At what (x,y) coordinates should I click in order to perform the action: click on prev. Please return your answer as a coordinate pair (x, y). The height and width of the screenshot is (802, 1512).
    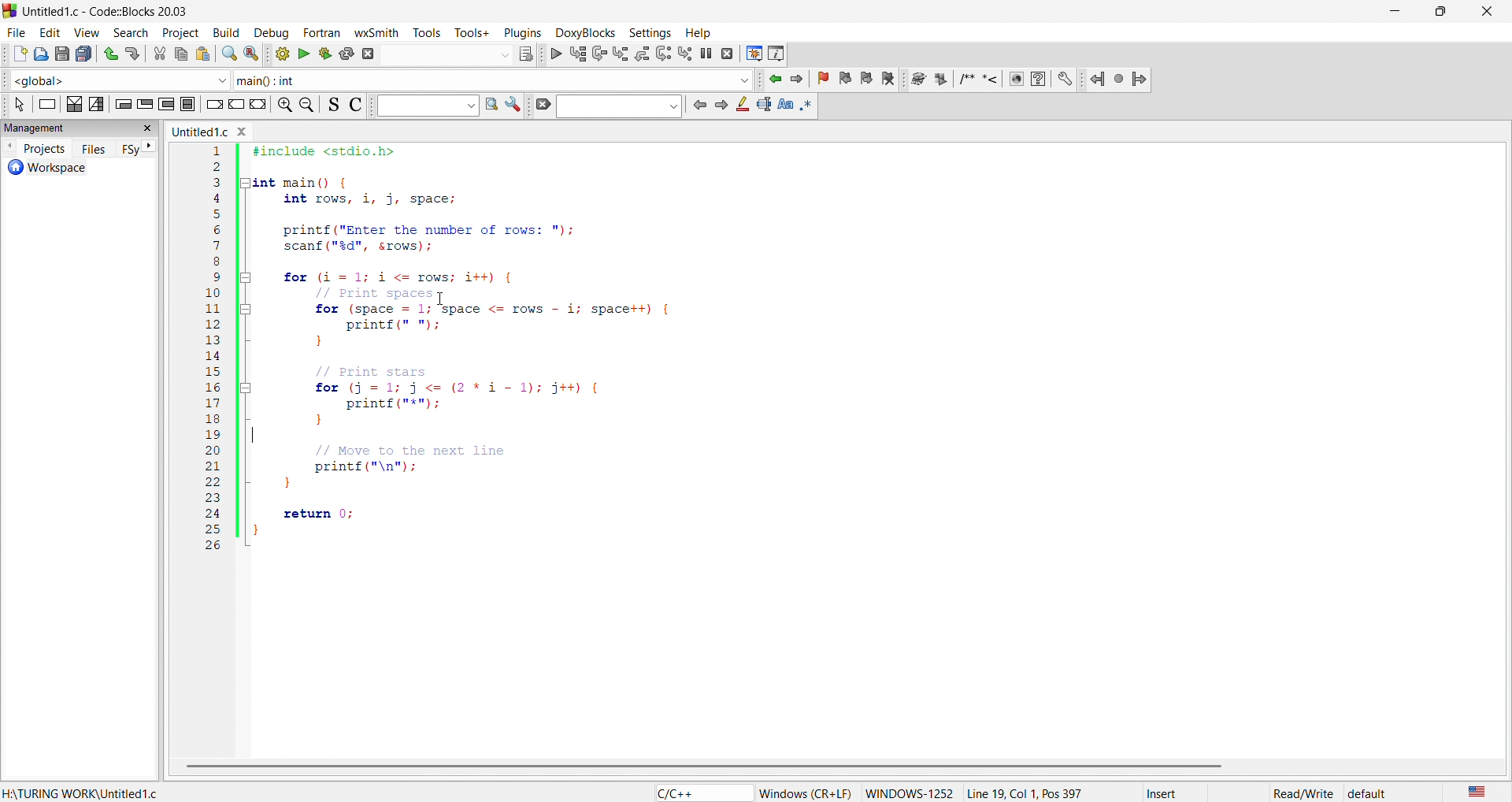
    Looking at the image, I should click on (699, 105).